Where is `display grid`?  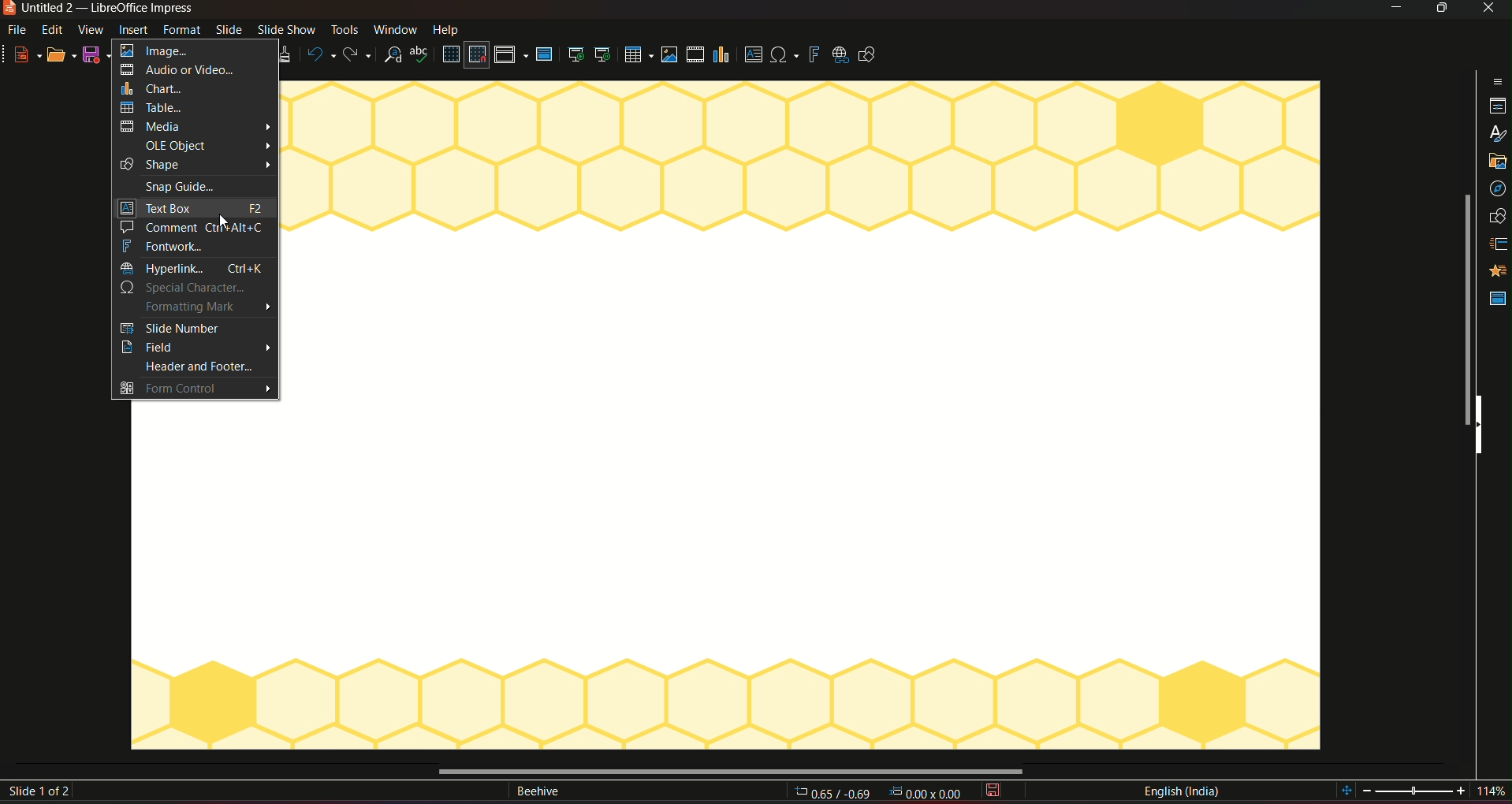
display grid is located at coordinates (450, 54).